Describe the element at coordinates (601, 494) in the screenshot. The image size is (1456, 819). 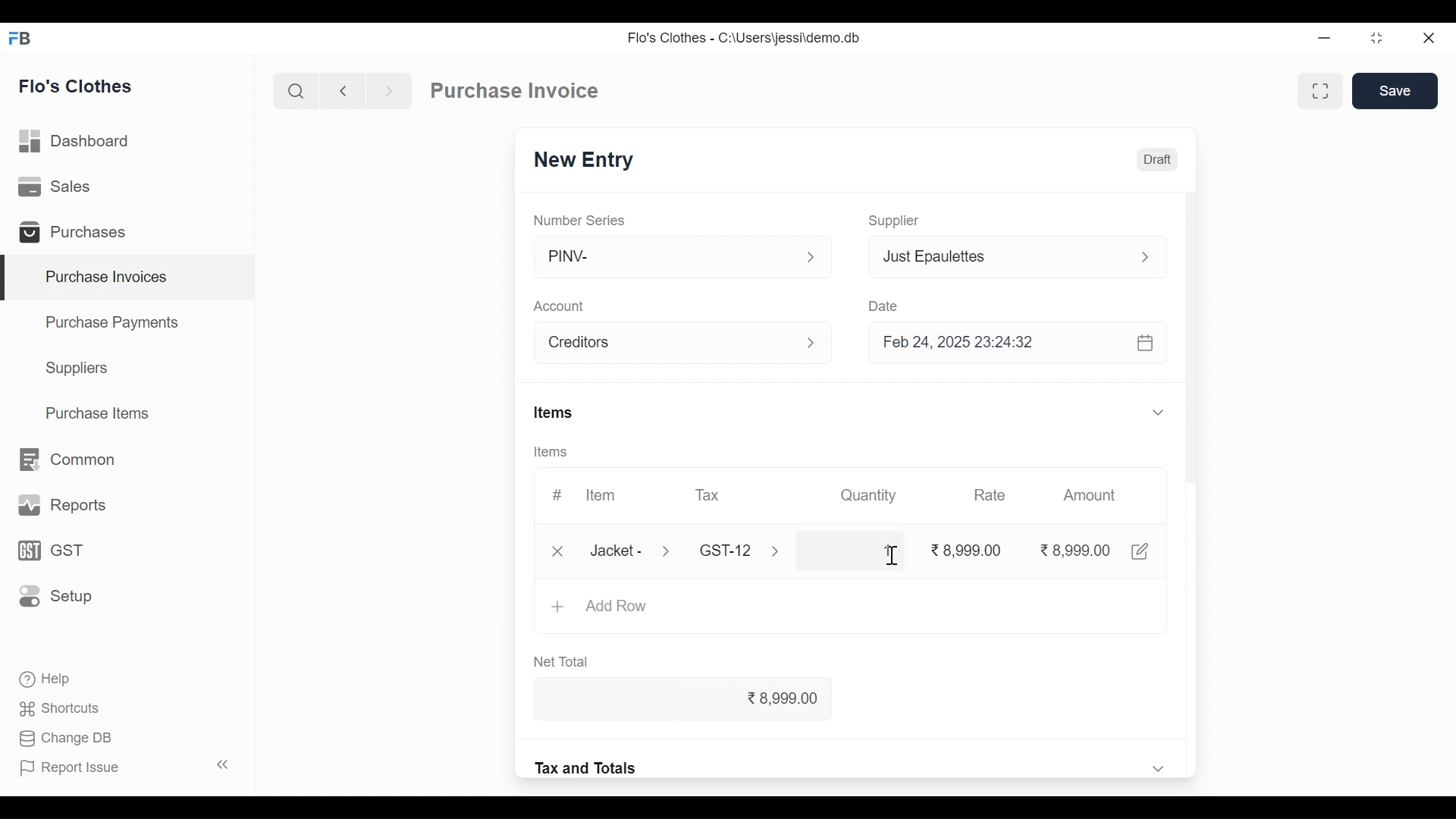
I see `Item` at that location.